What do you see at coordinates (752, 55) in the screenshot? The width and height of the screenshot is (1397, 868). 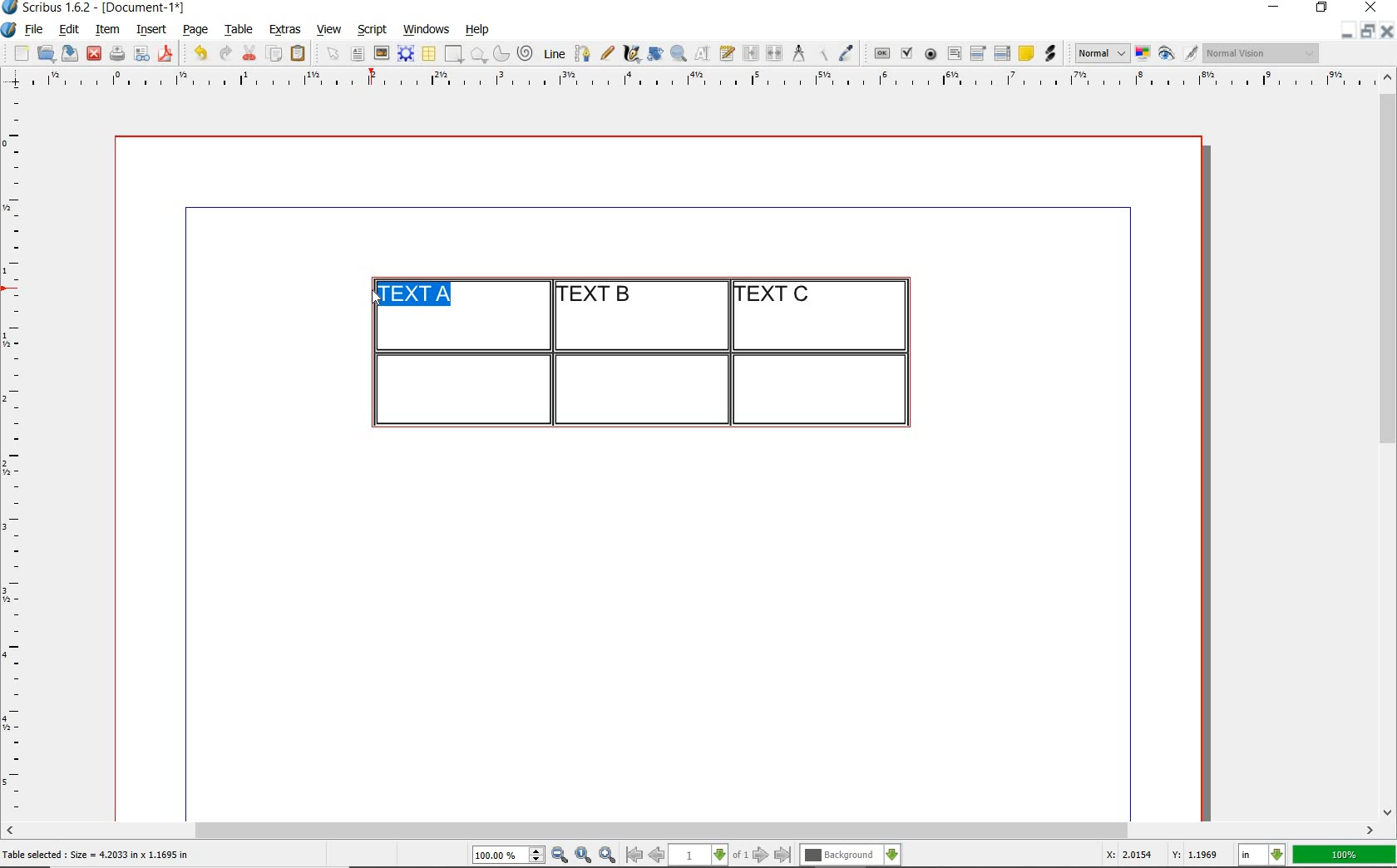 I see `link text frames` at bounding box center [752, 55].